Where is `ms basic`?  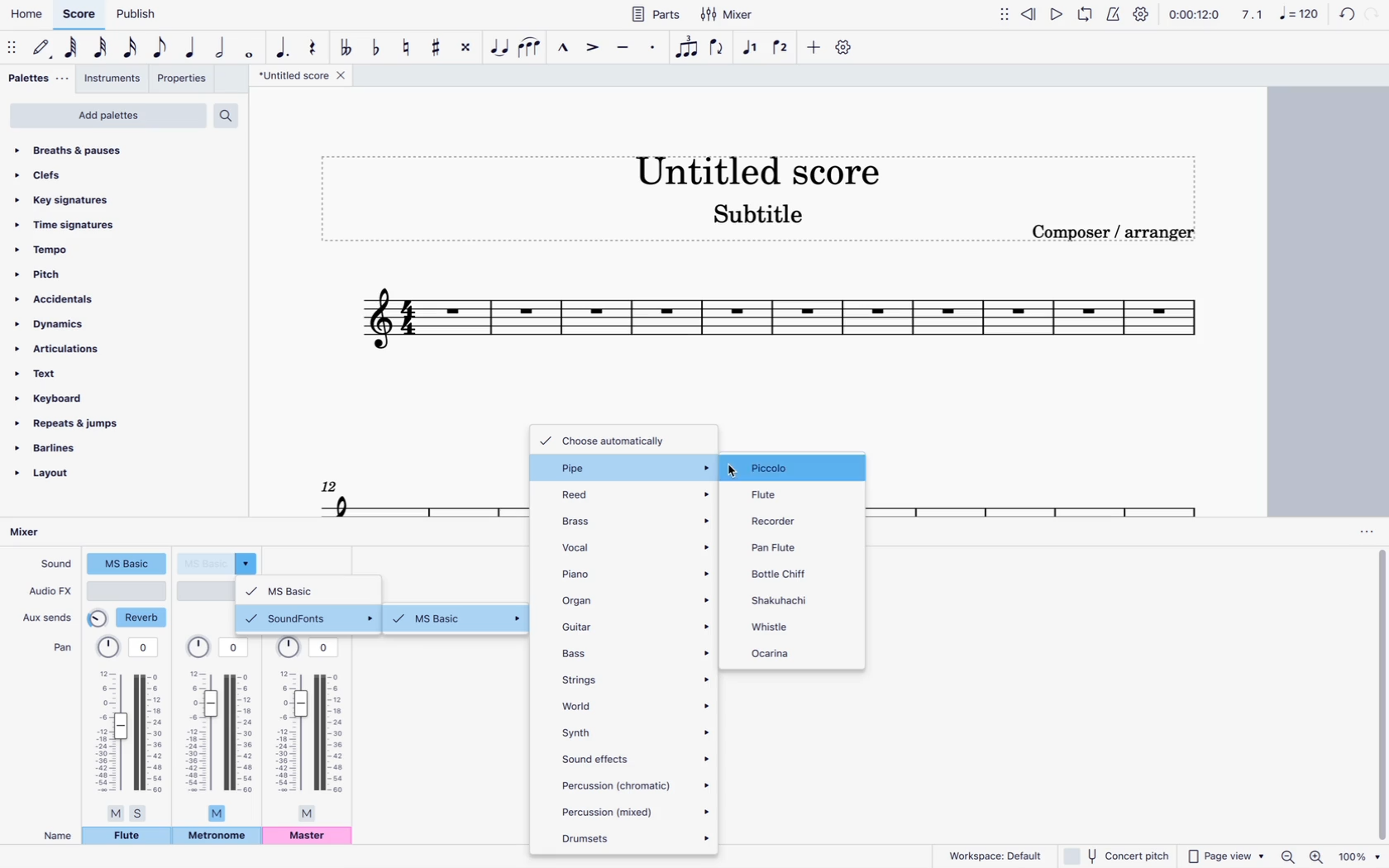 ms basic is located at coordinates (461, 621).